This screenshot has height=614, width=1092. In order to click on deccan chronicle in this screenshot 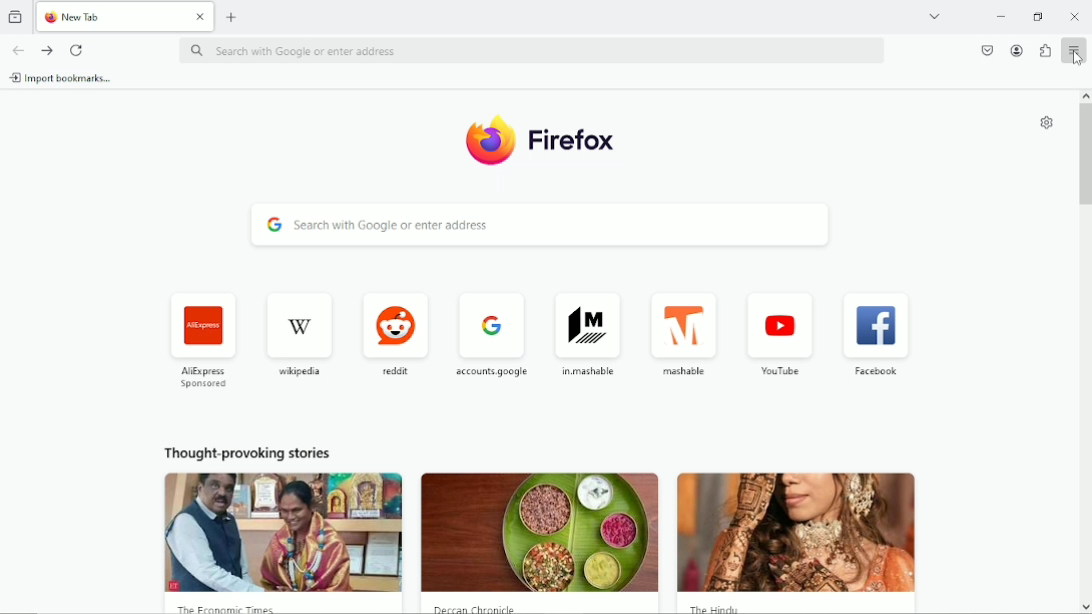, I will do `click(478, 607)`.